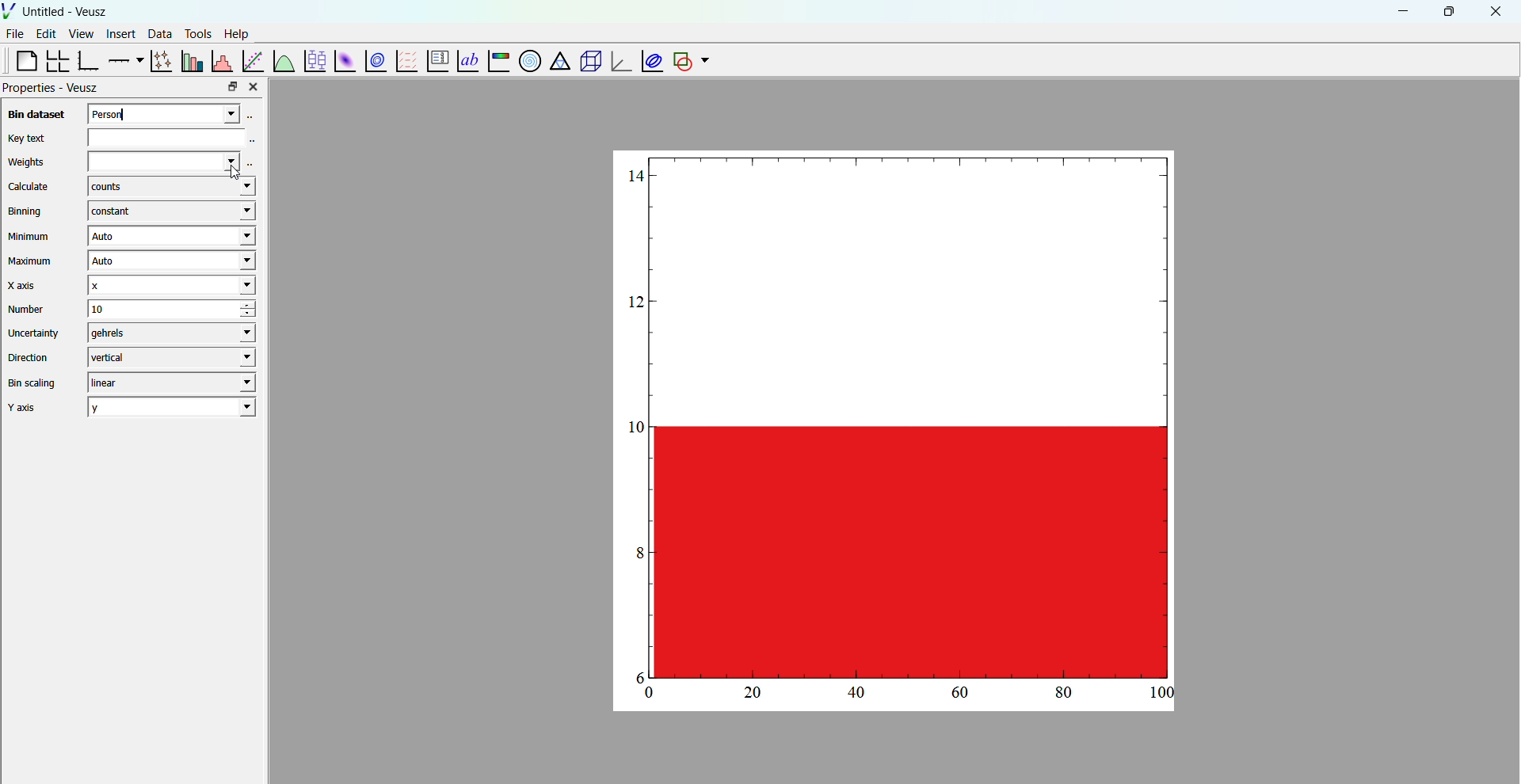 The image size is (1521, 784). Describe the element at coordinates (221, 59) in the screenshot. I see `Histogram of a dataset` at that location.